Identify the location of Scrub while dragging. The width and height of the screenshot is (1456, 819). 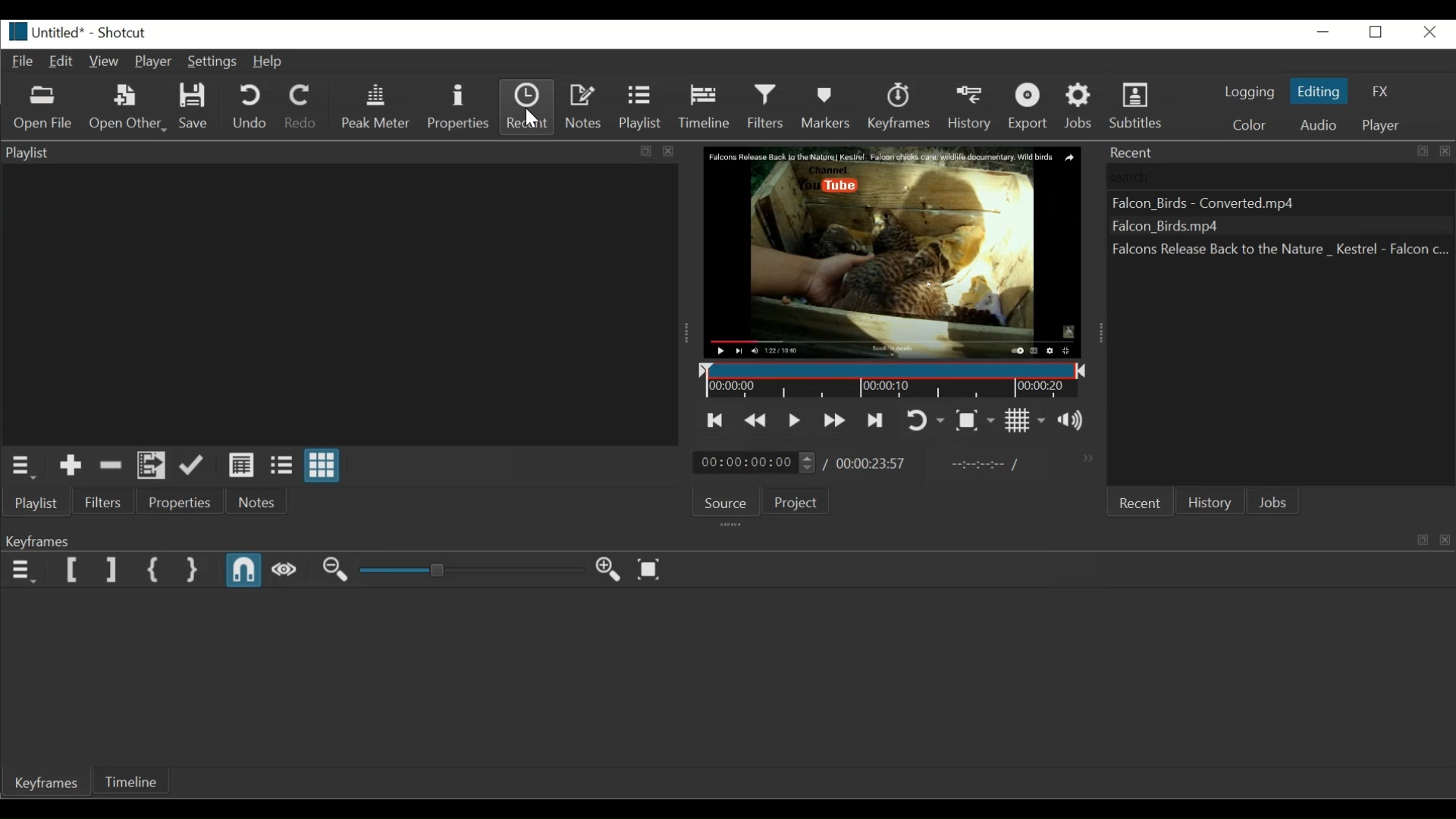
(286, 570).